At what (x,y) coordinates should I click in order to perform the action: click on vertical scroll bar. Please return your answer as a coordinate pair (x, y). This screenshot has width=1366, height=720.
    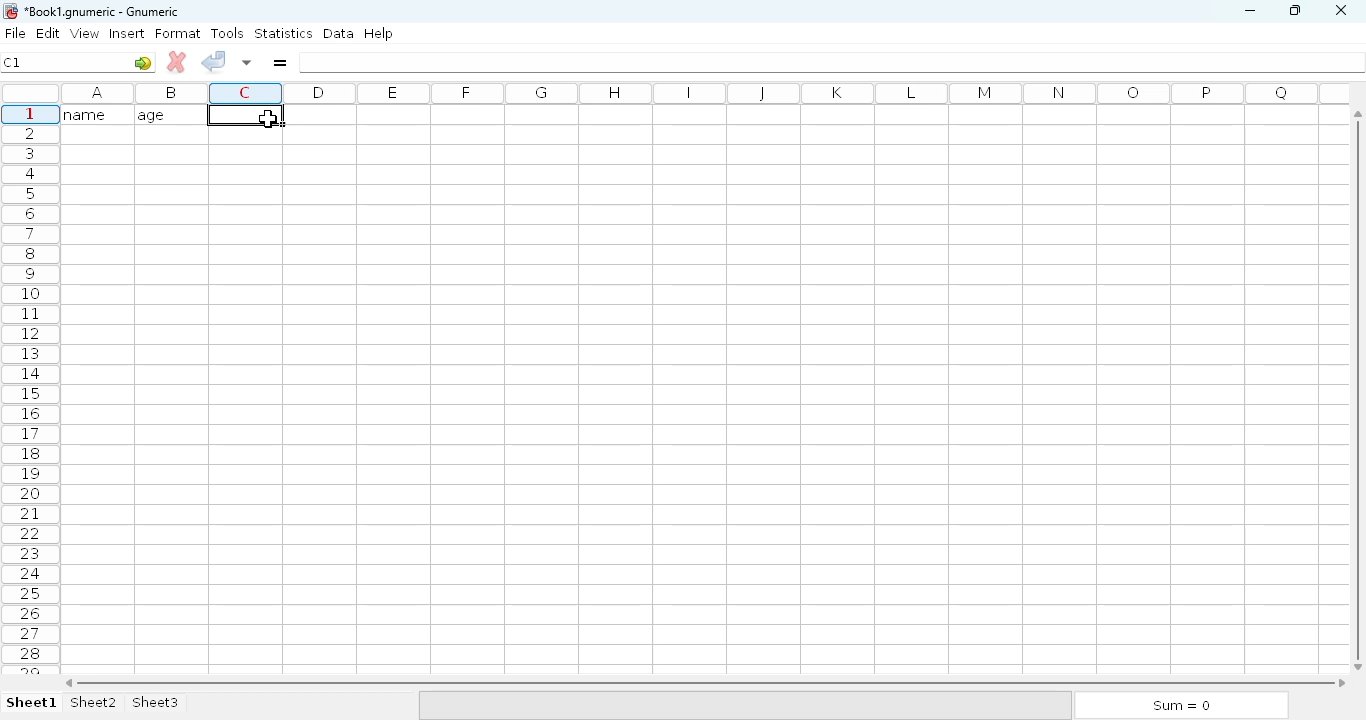
    Looking at the image, I should click on (1361, 389).